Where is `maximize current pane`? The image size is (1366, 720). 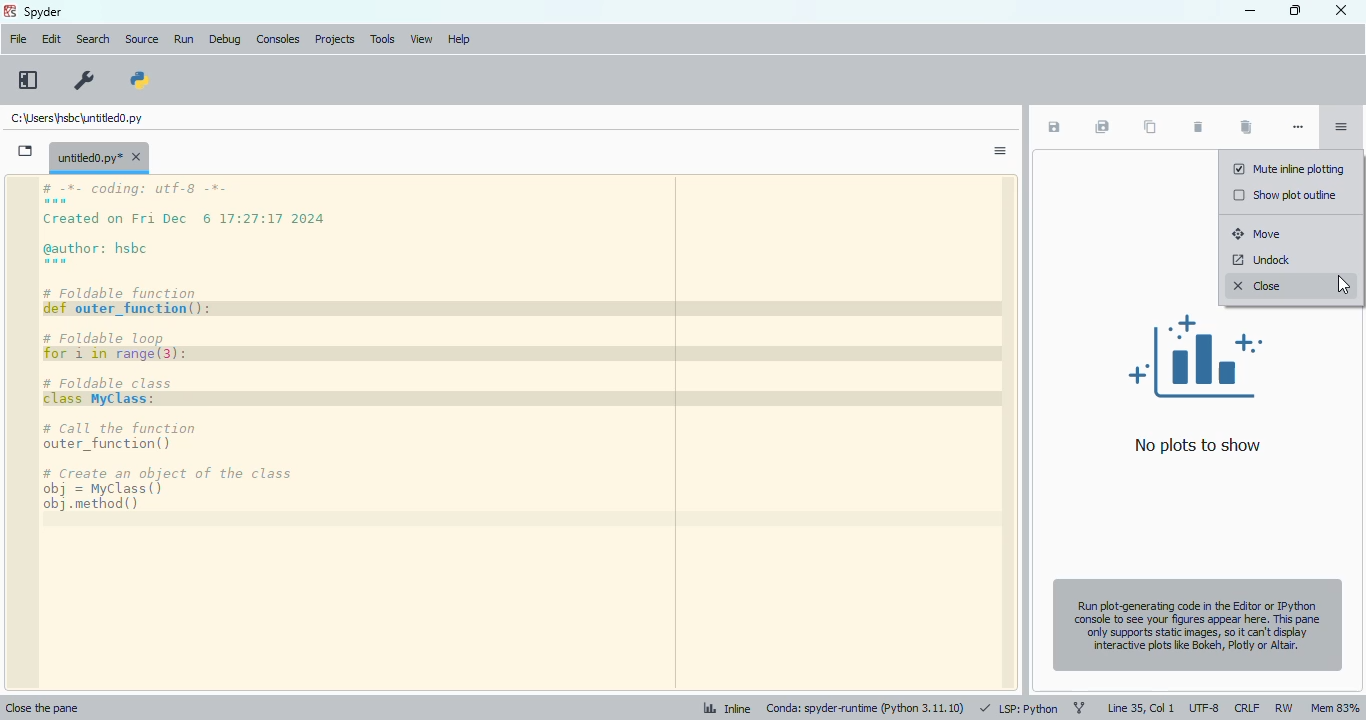
maximize current pane is located at coordinates (29, 80).